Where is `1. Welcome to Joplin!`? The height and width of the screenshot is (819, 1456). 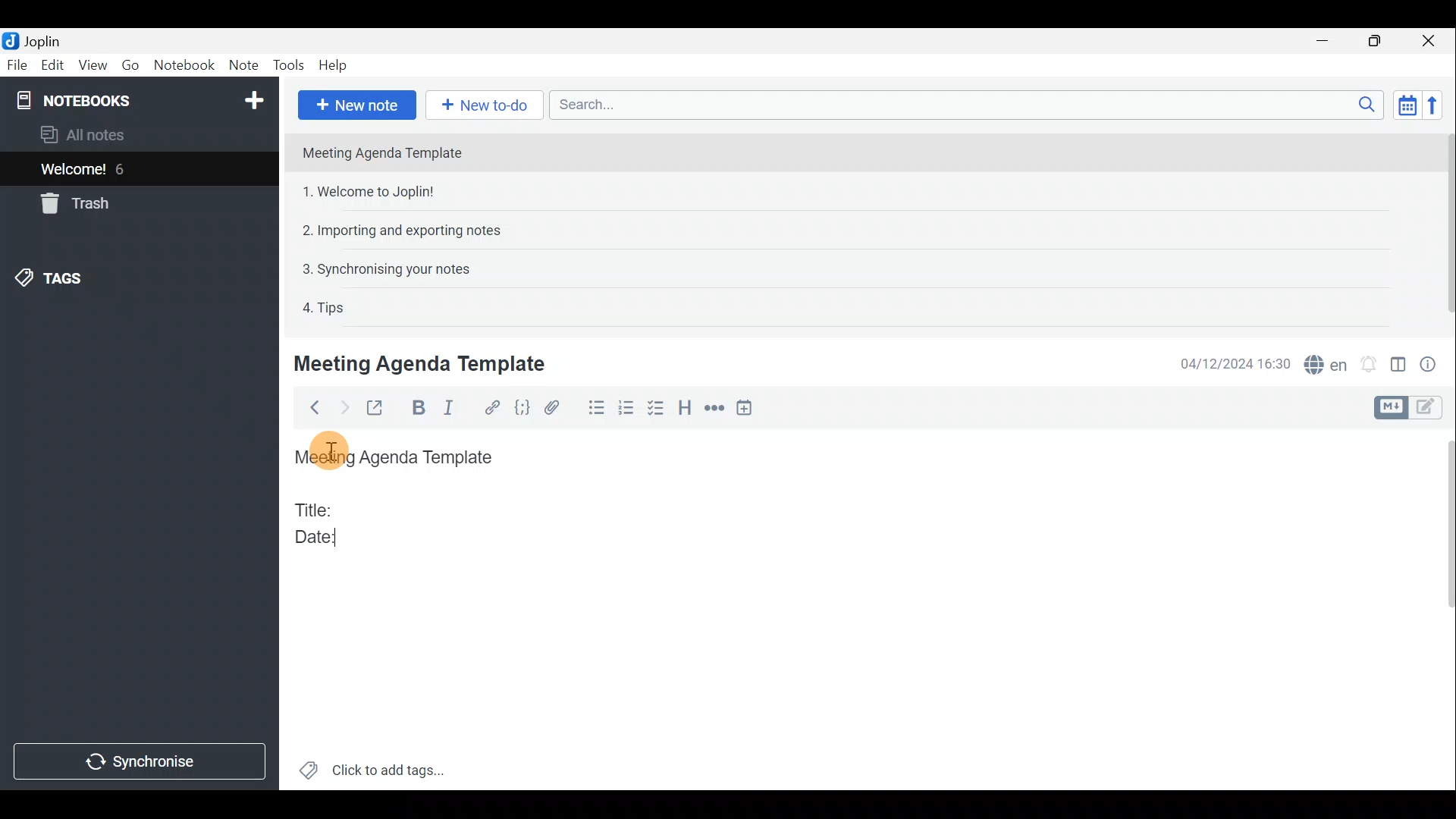 1. Welcome to Joplin! is located at coordinates (373, 191).